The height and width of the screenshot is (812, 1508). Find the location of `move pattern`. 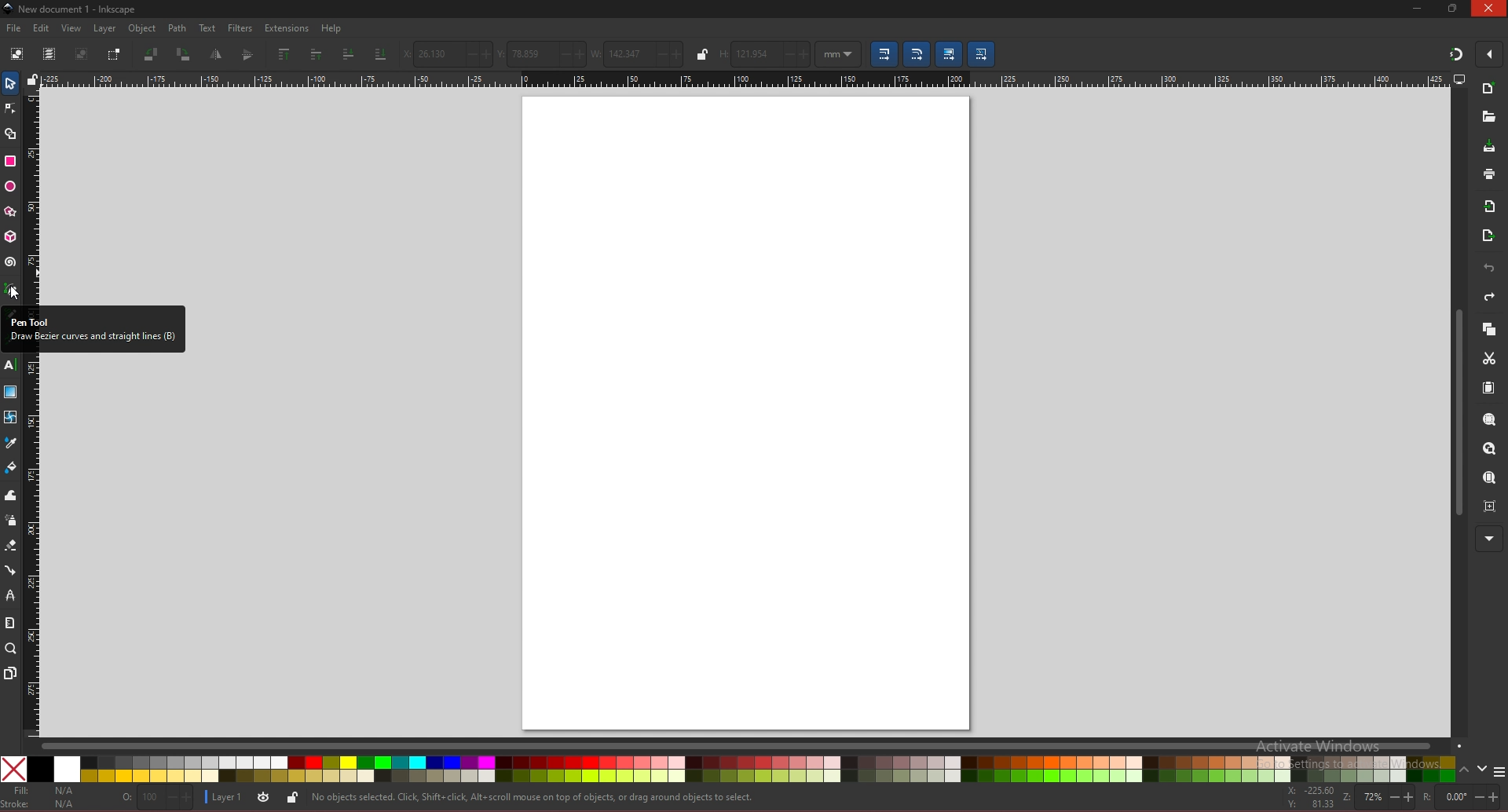

move pattern is located at coordinates (983, 53).